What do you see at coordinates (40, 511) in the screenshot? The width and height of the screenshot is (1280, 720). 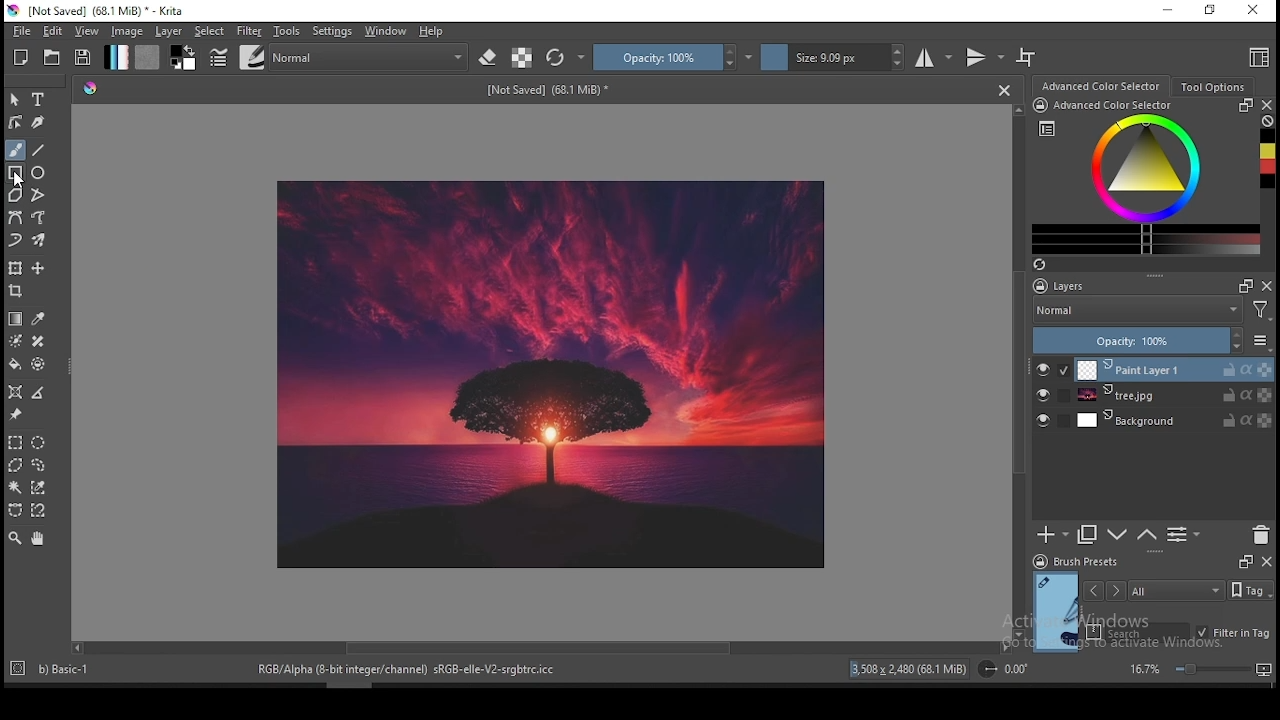 I see `magnetic curve selection tool` at bounding box center [40, 511].